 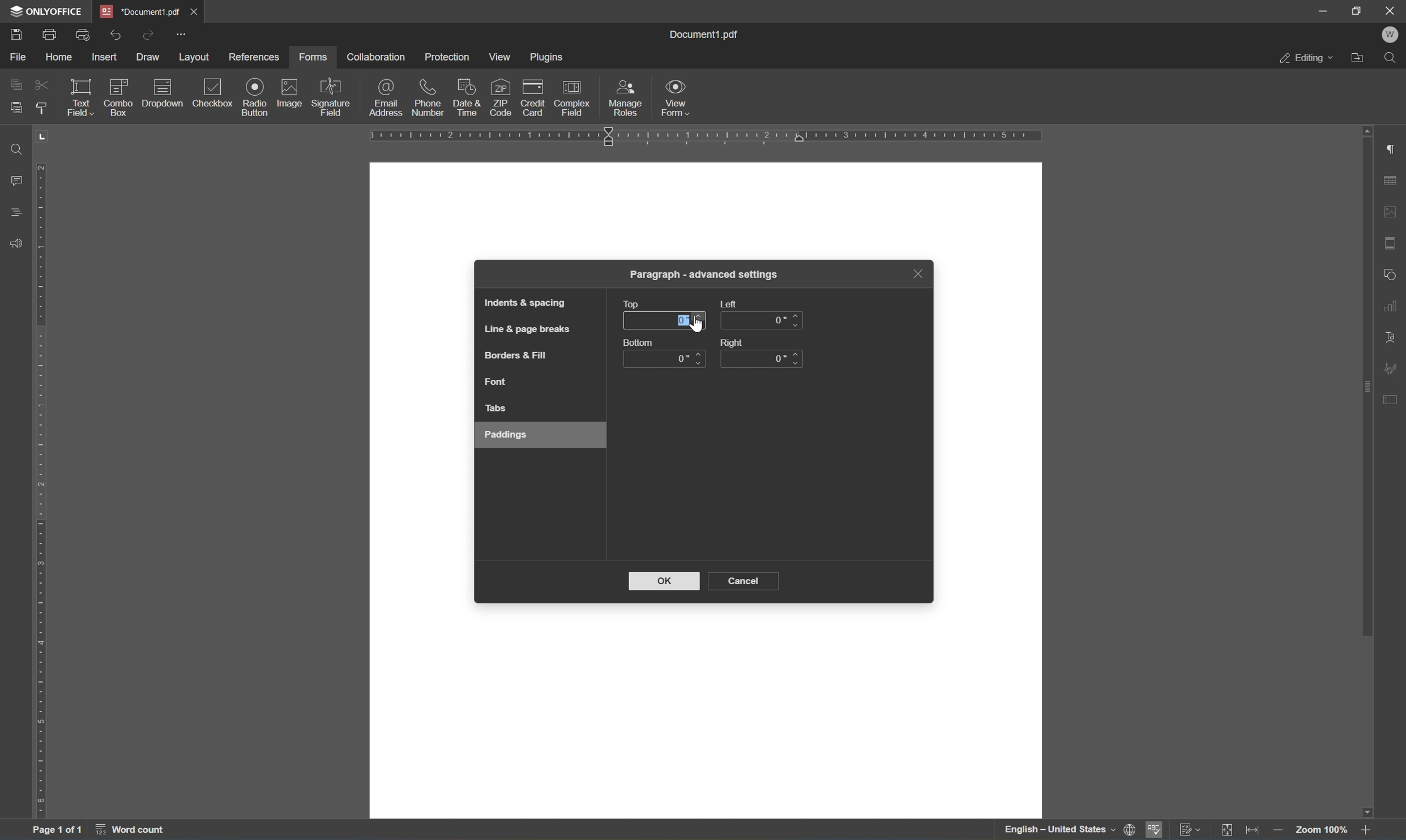 What do you see at coordinates (448, 57) in the screenshot?
I see `protection` at bounding box center [448, 57].